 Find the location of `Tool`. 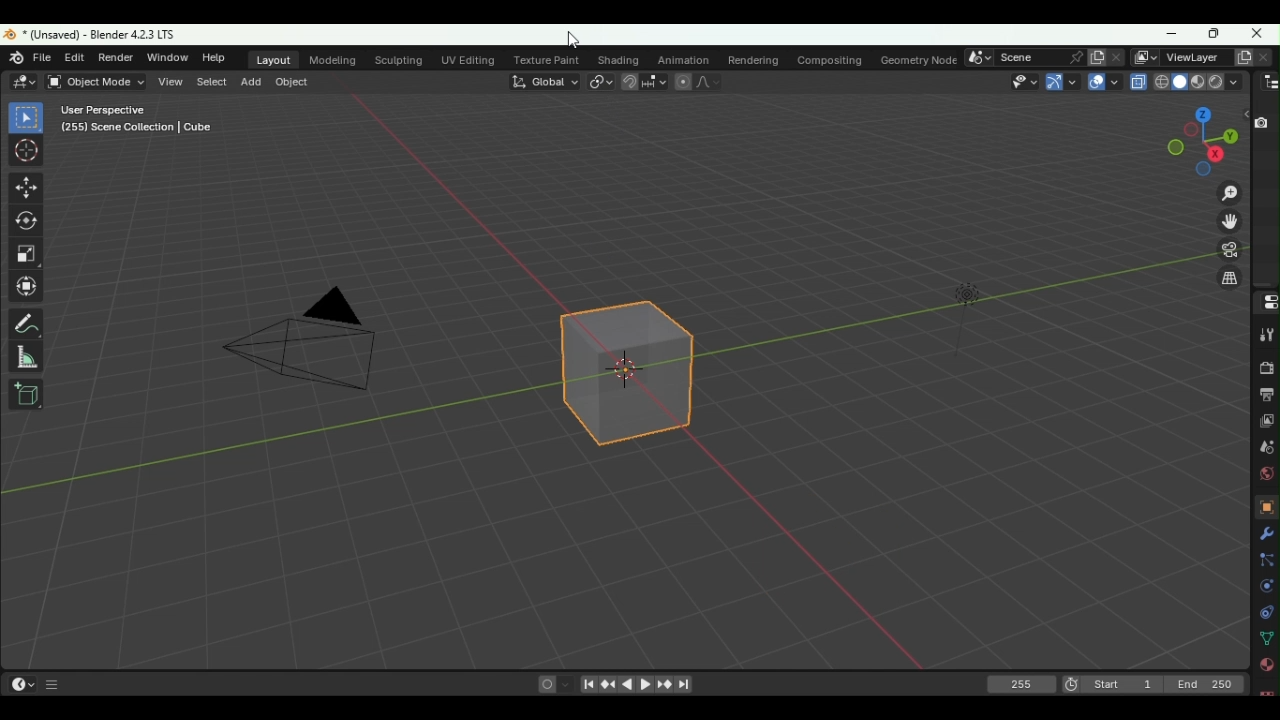

Tool is located at coordinates (1262, 335).